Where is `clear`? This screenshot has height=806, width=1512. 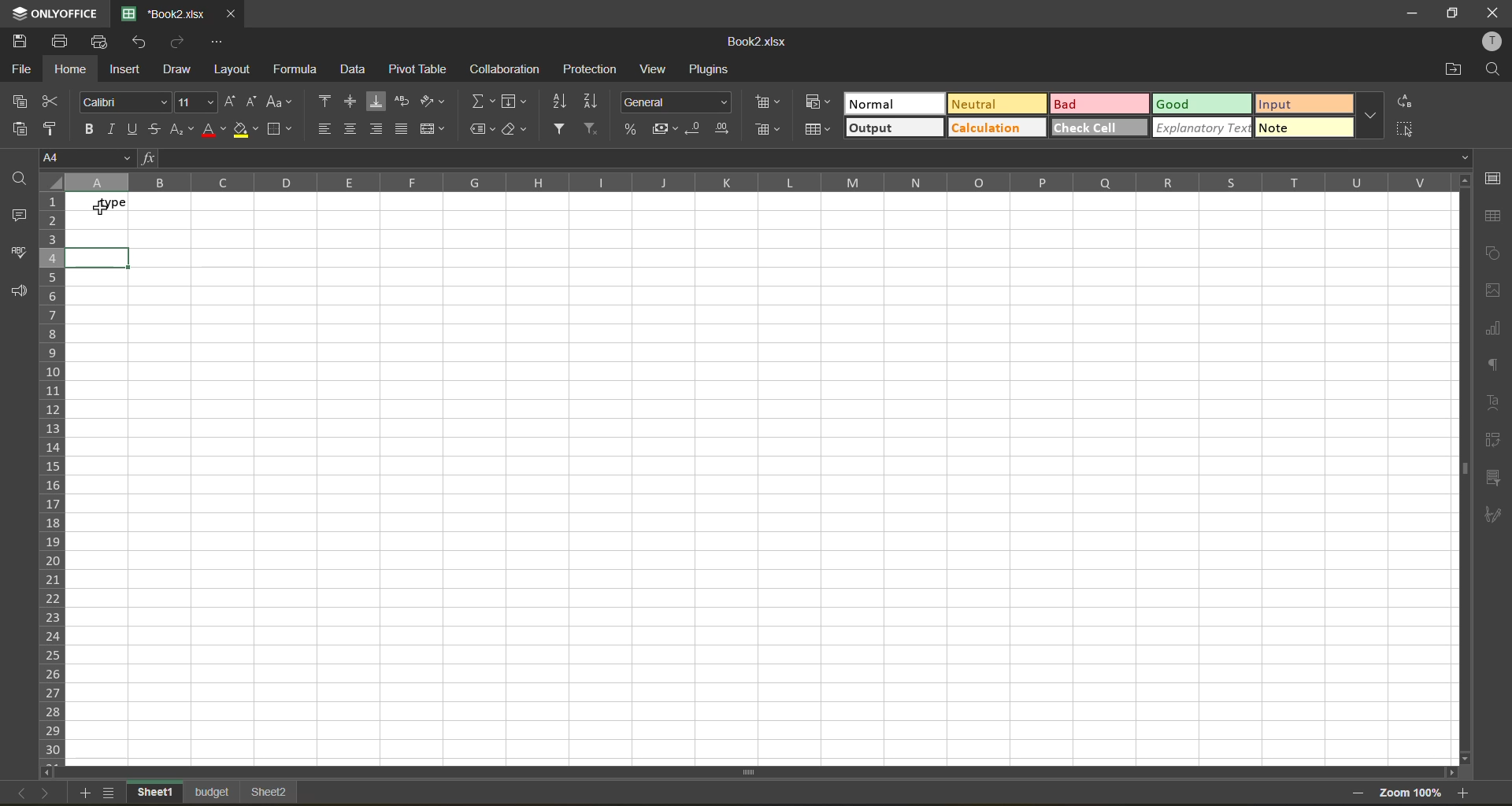
clear is located at coordinates (515, 130).